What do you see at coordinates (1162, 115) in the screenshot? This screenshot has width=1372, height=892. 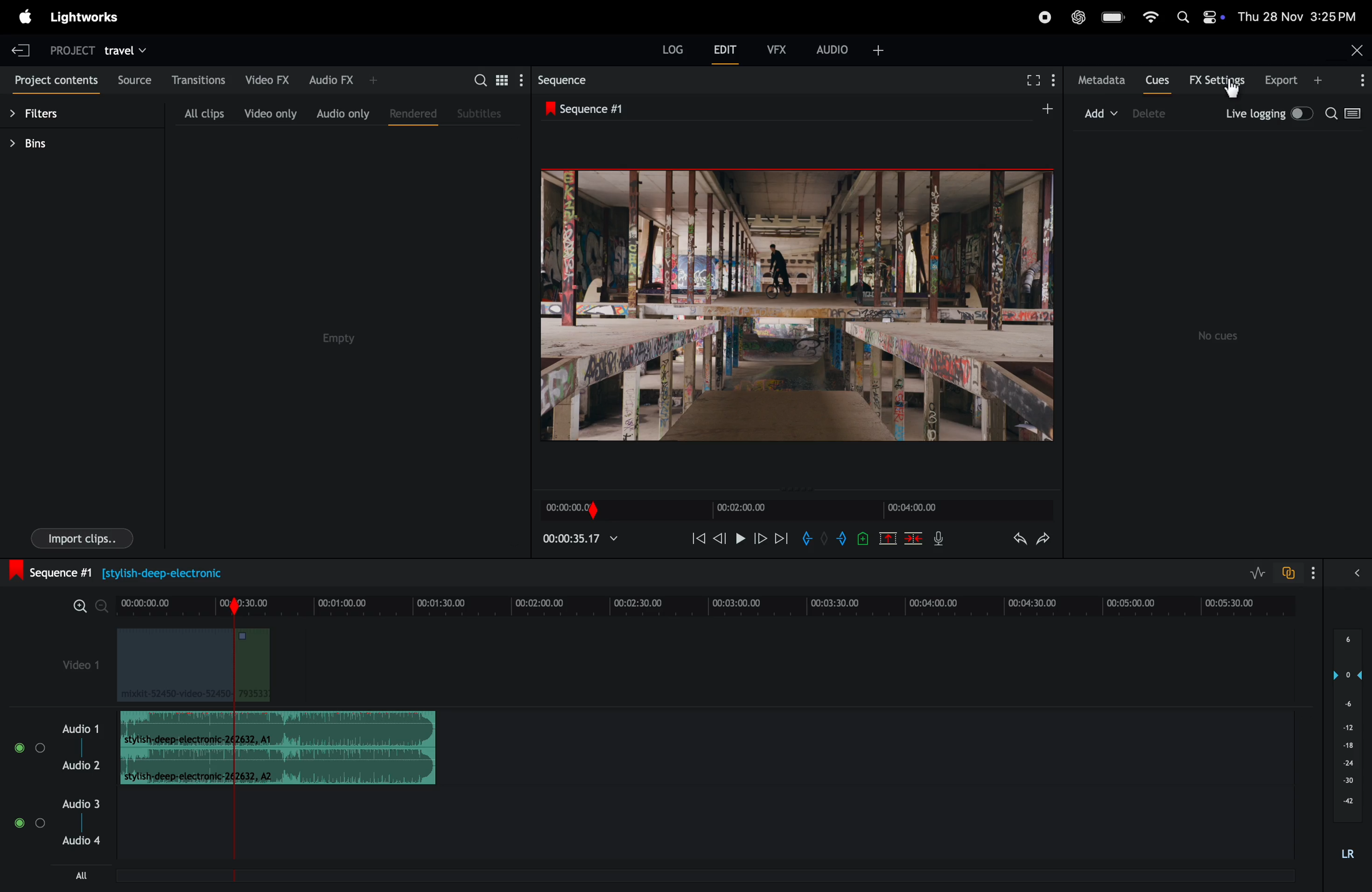 I see `delete` at bounding box center [1162, 115].